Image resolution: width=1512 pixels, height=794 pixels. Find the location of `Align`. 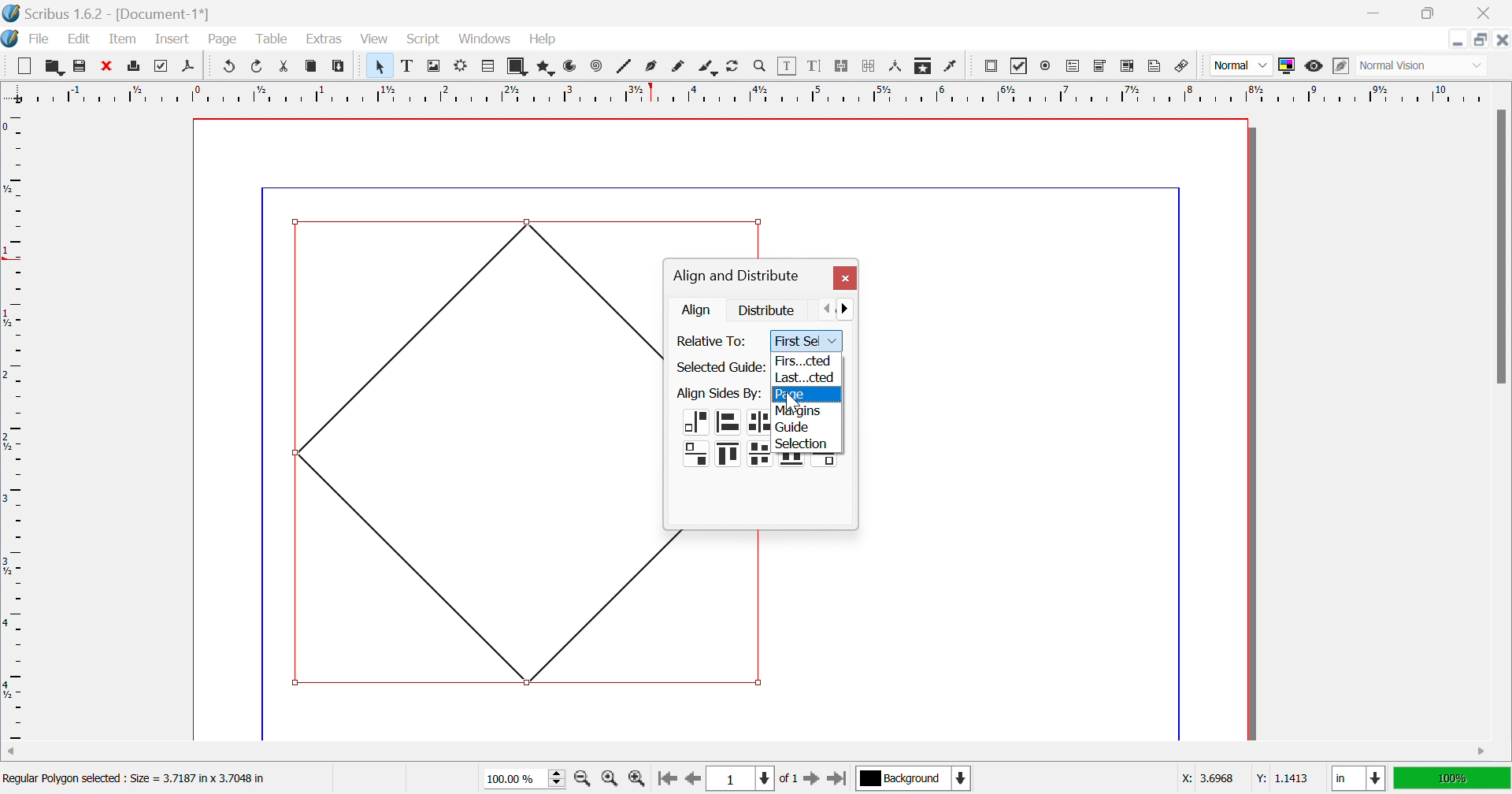

Align is located at coordinates (699, 310).